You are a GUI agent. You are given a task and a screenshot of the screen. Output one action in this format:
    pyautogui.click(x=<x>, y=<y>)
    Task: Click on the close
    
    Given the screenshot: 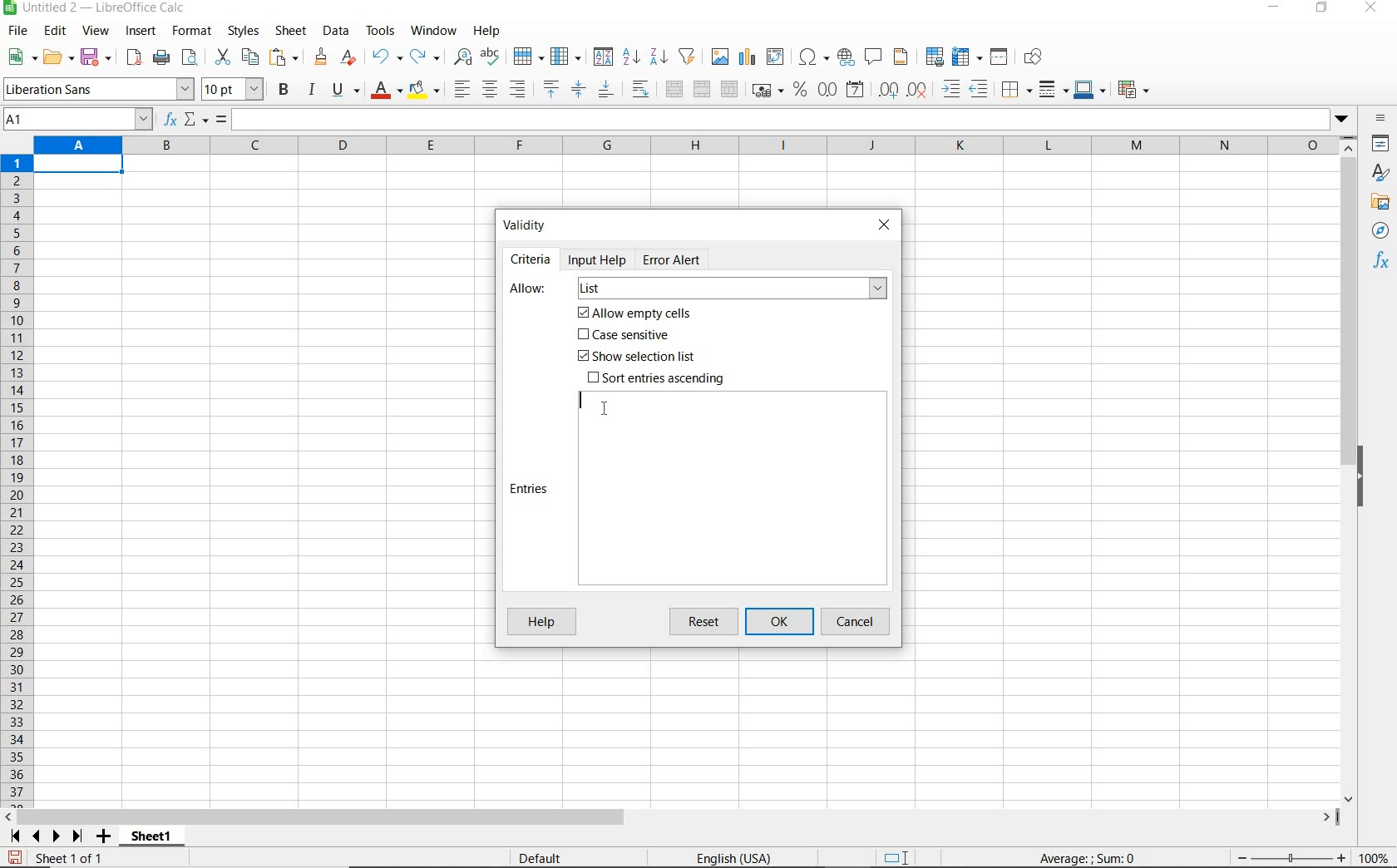 What is the action you would take?
    pyautogui.click(x=884, y=223)
    